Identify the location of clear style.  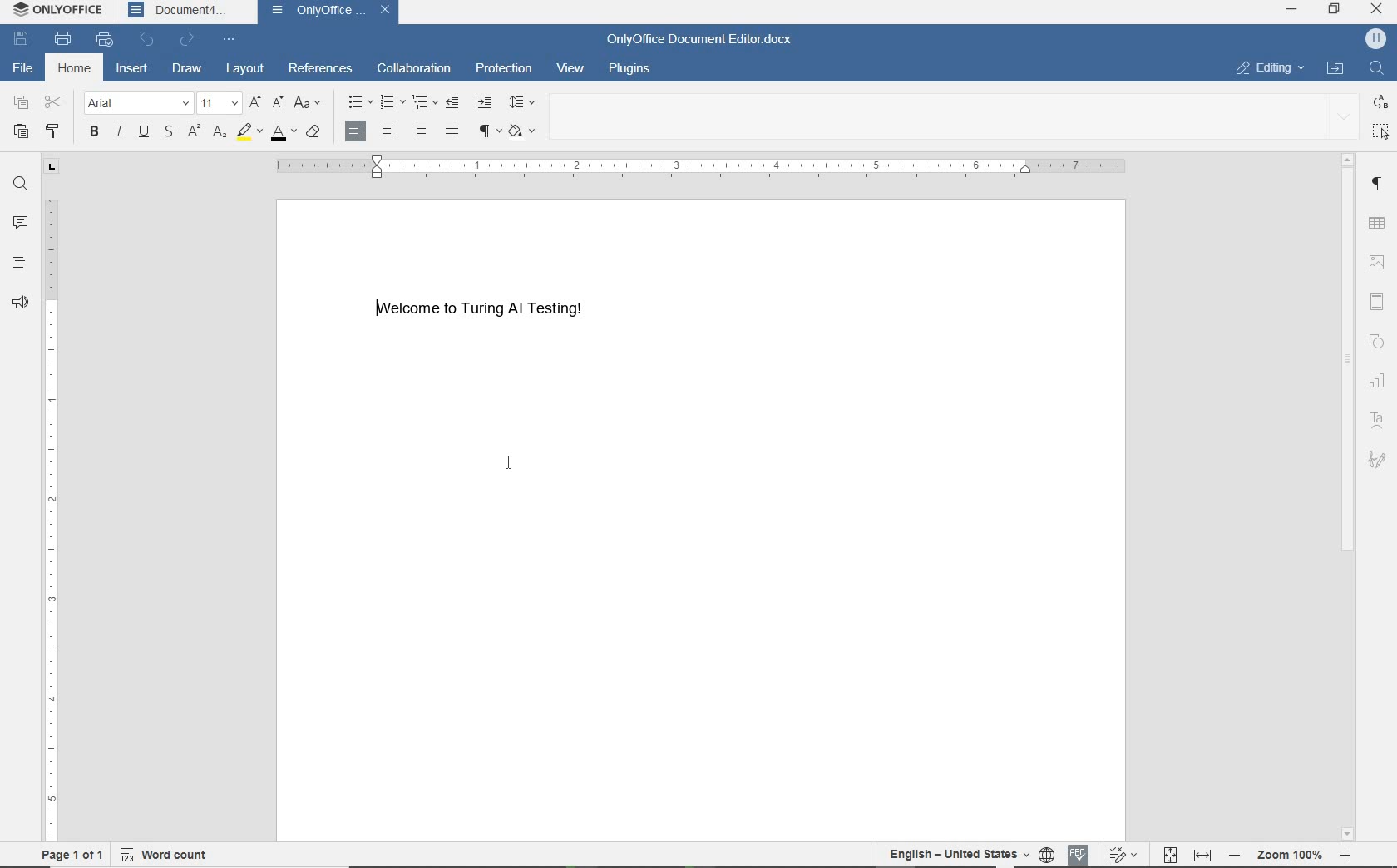
(317, 133).